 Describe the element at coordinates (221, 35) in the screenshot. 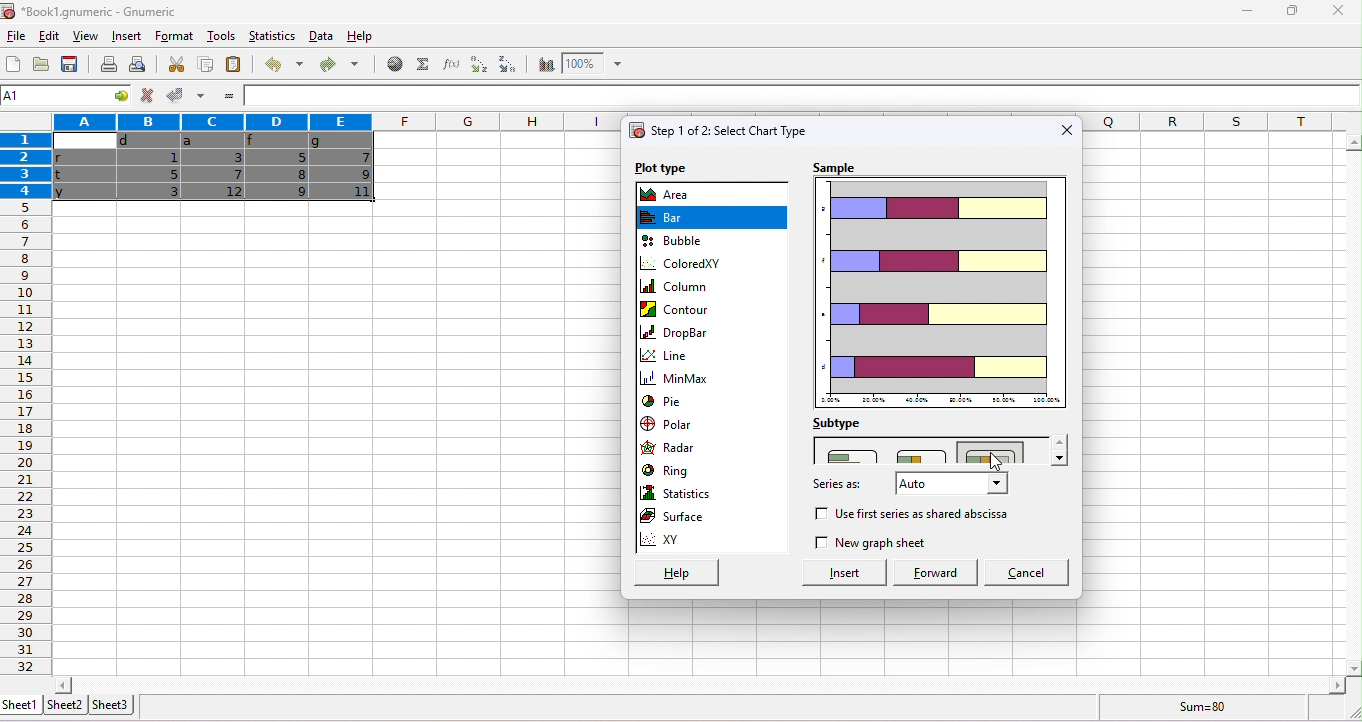

I see `tools` at that location.